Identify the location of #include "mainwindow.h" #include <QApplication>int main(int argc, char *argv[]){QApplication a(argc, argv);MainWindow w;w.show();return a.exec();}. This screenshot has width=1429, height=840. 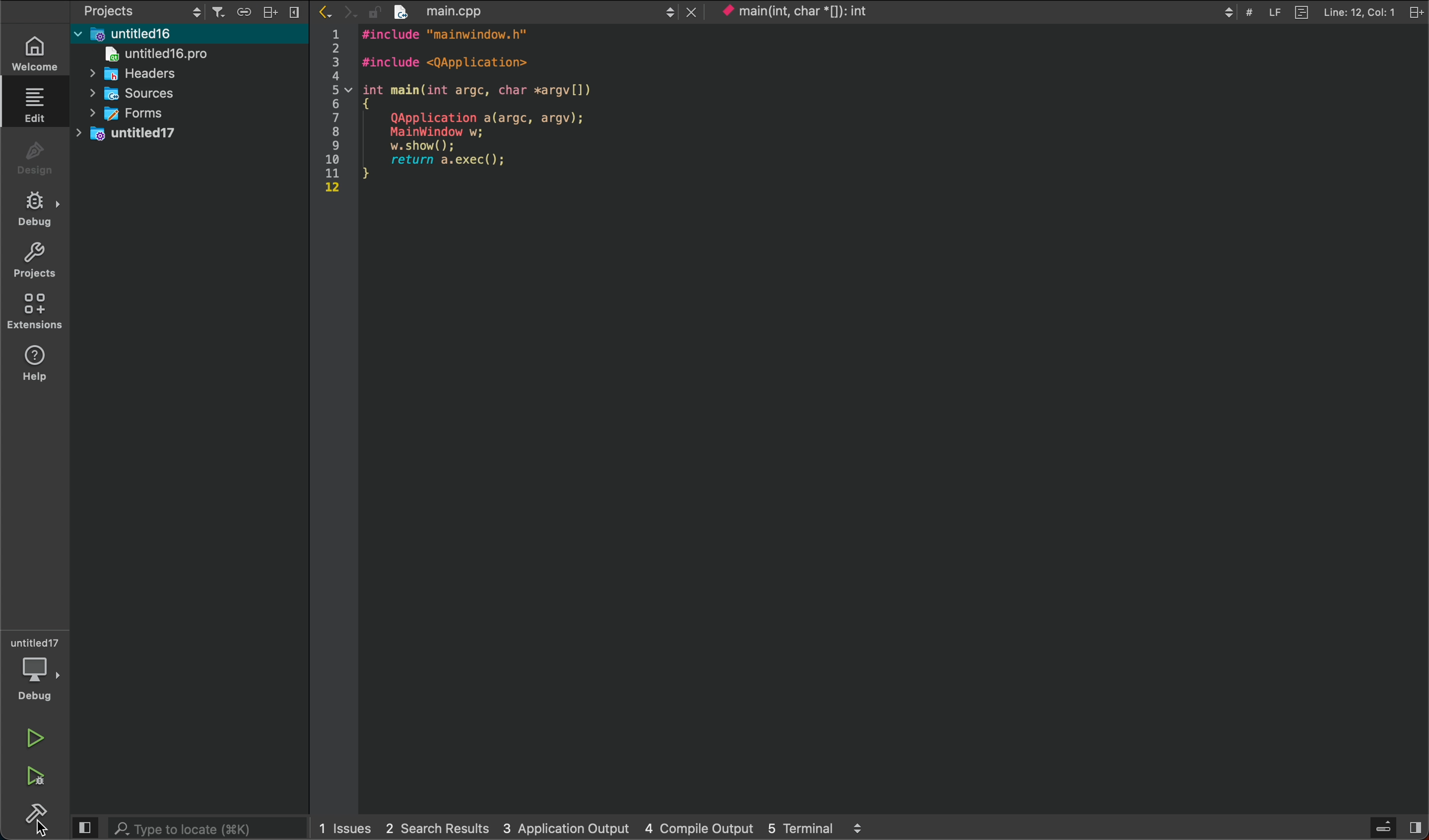
(487, 111).